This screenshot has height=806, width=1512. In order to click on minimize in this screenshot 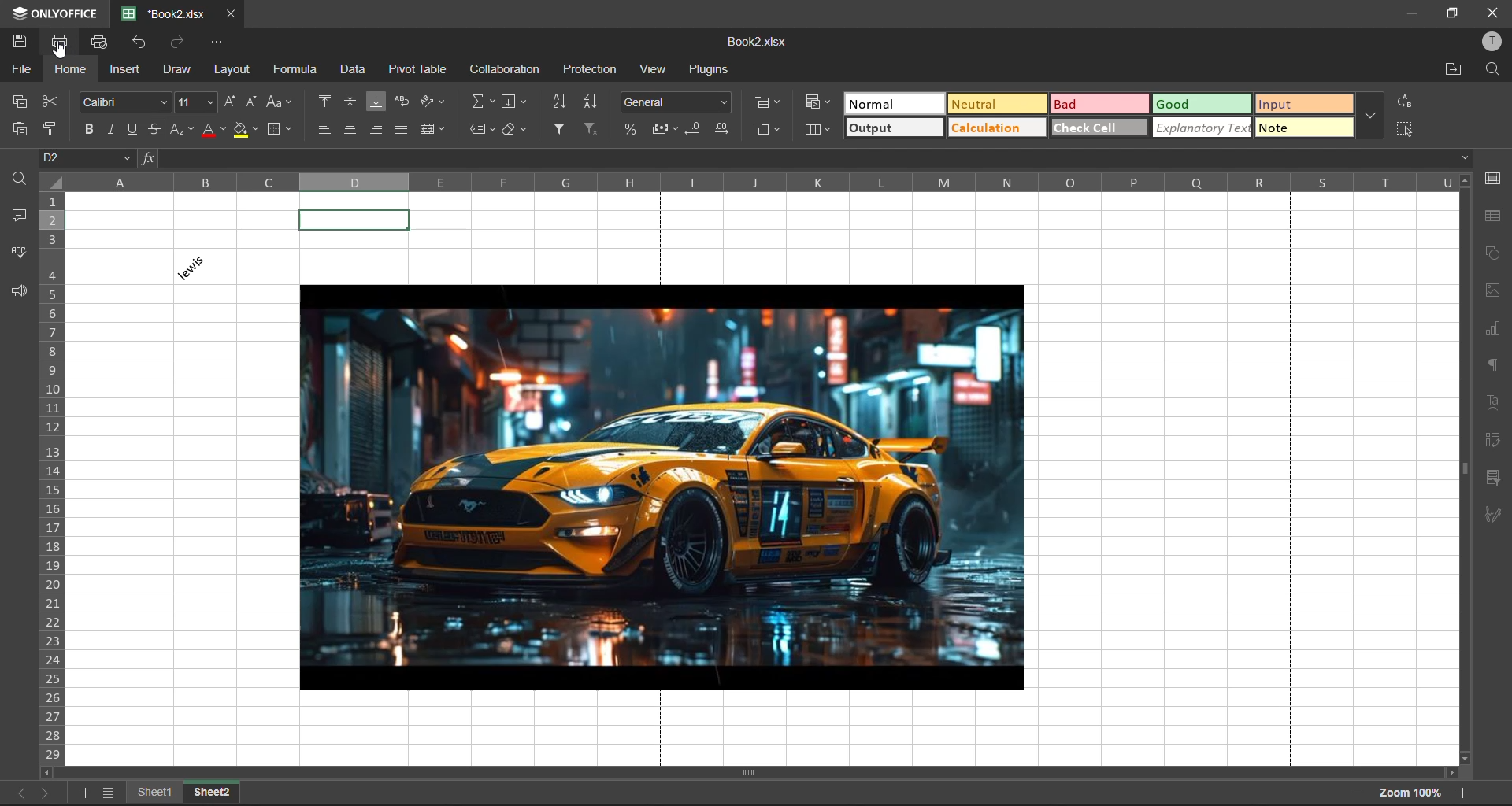, I will do `click(1410, 13)`.